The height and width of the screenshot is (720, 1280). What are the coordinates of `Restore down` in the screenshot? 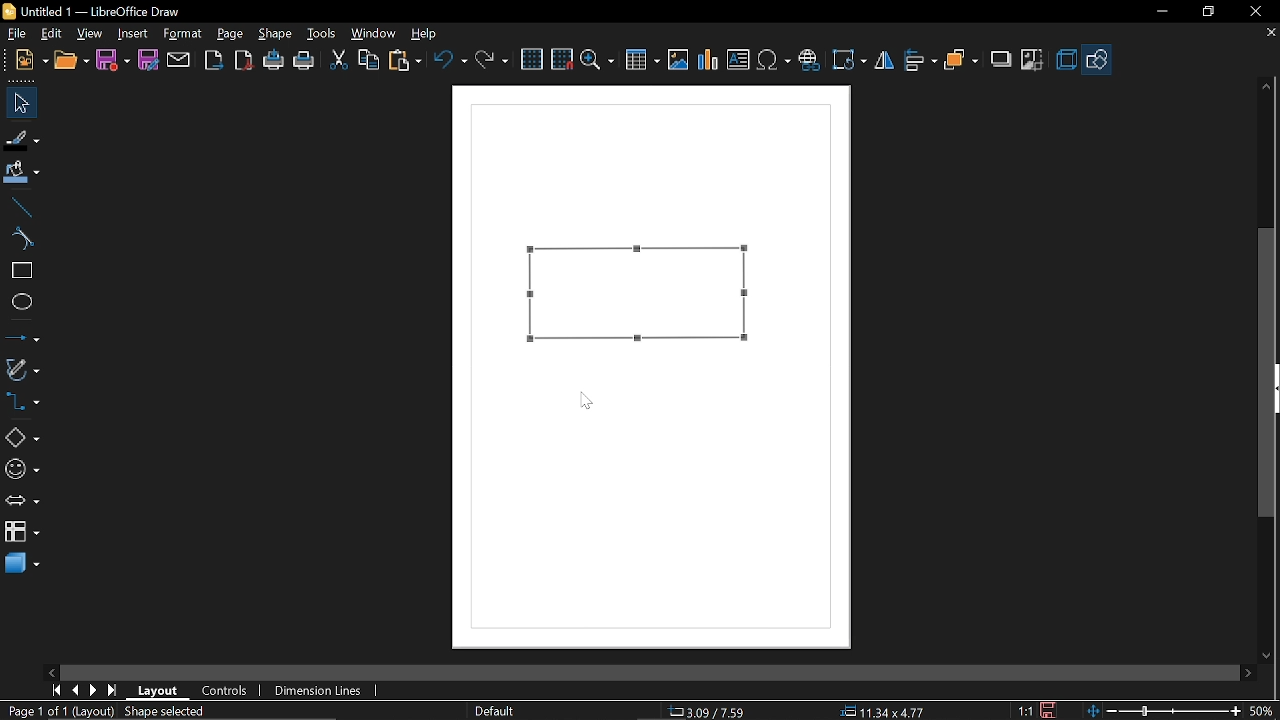 It's located at (1205, 13).